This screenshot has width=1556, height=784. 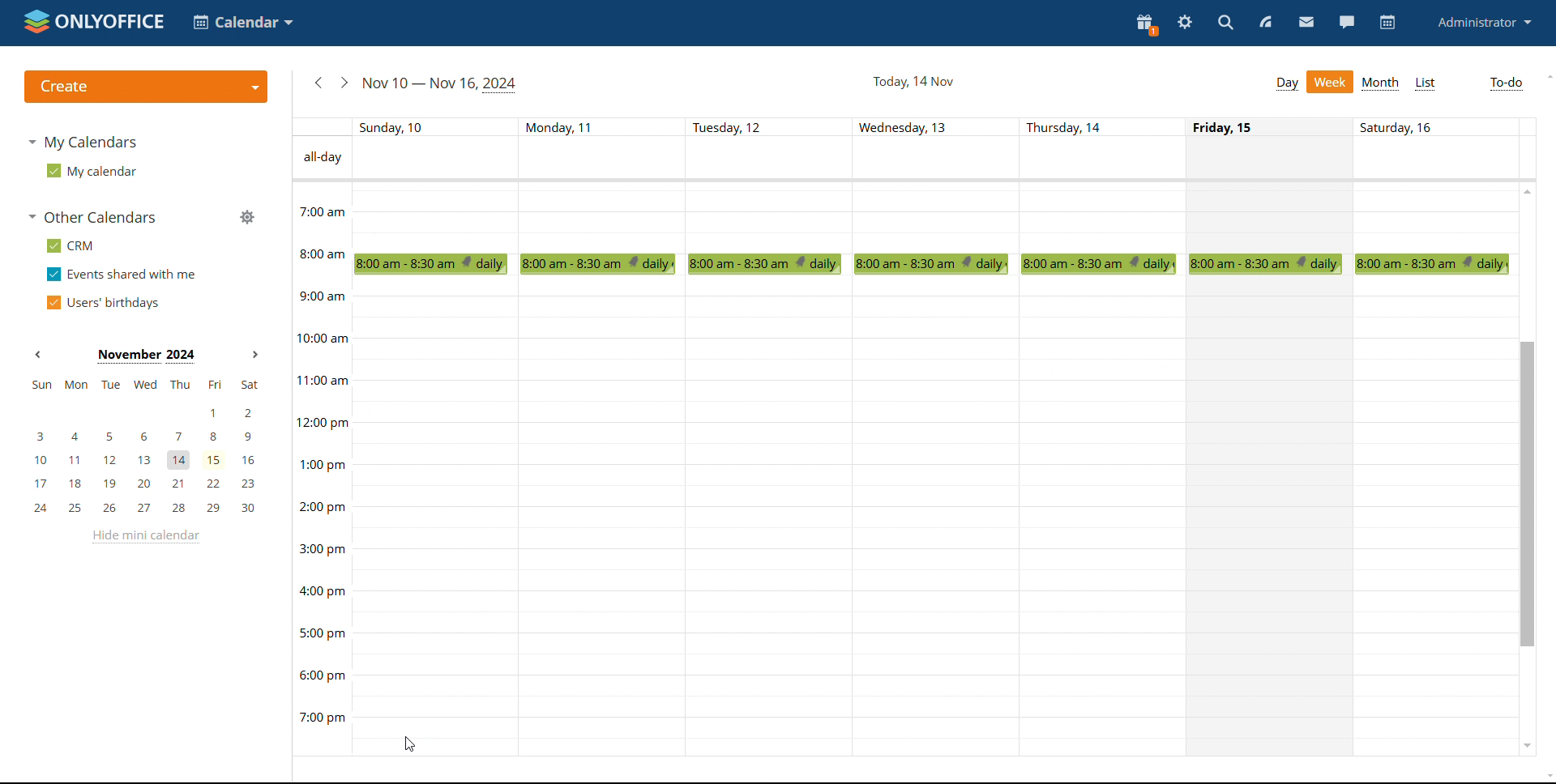 What do you see at coordinates (102, 303) in the screenshot?
I see `users' birthdays` at bounding box center [102, 303].